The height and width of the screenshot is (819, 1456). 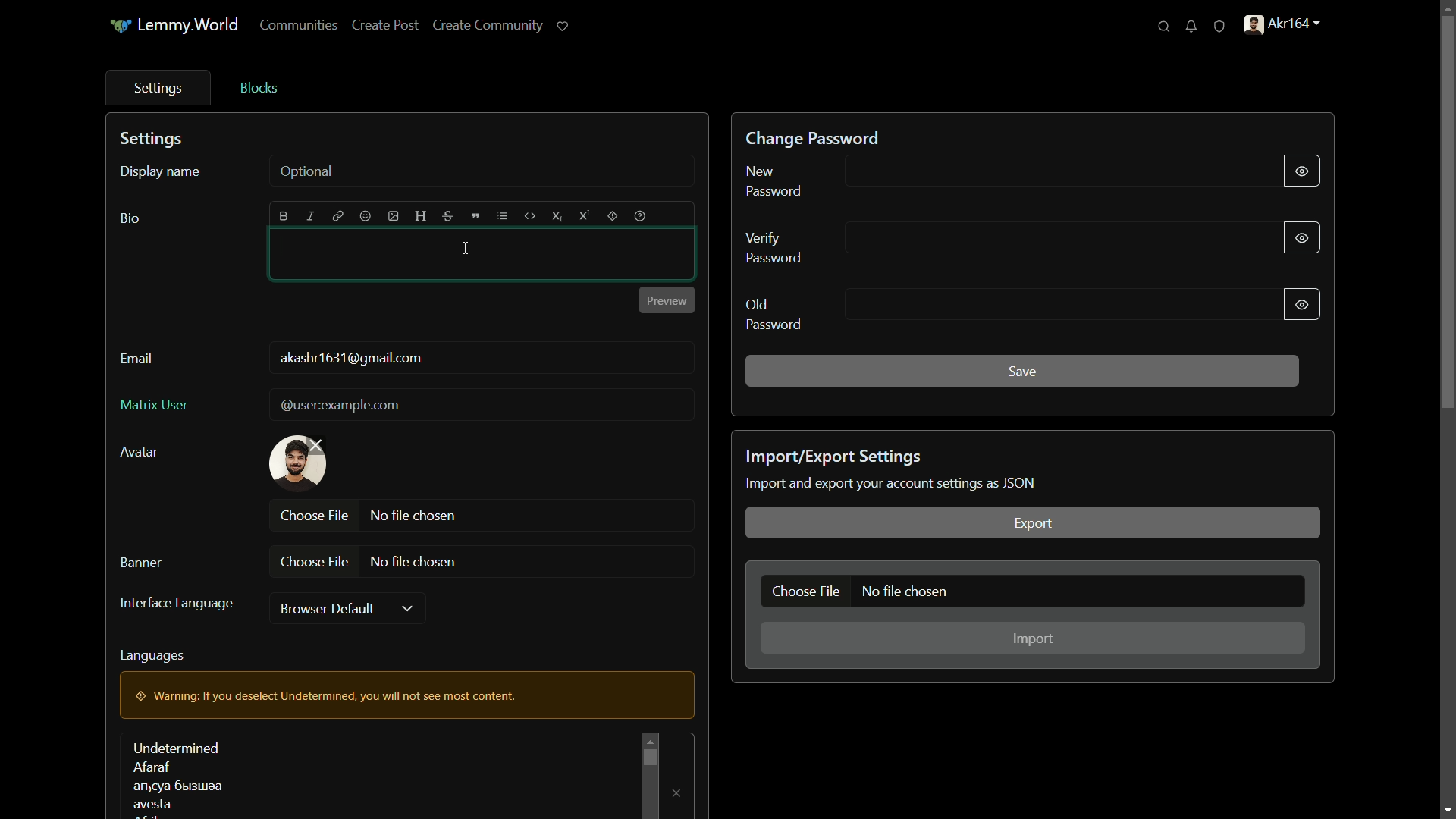 I want to click on show/hide, so click(x=1304, y=306).